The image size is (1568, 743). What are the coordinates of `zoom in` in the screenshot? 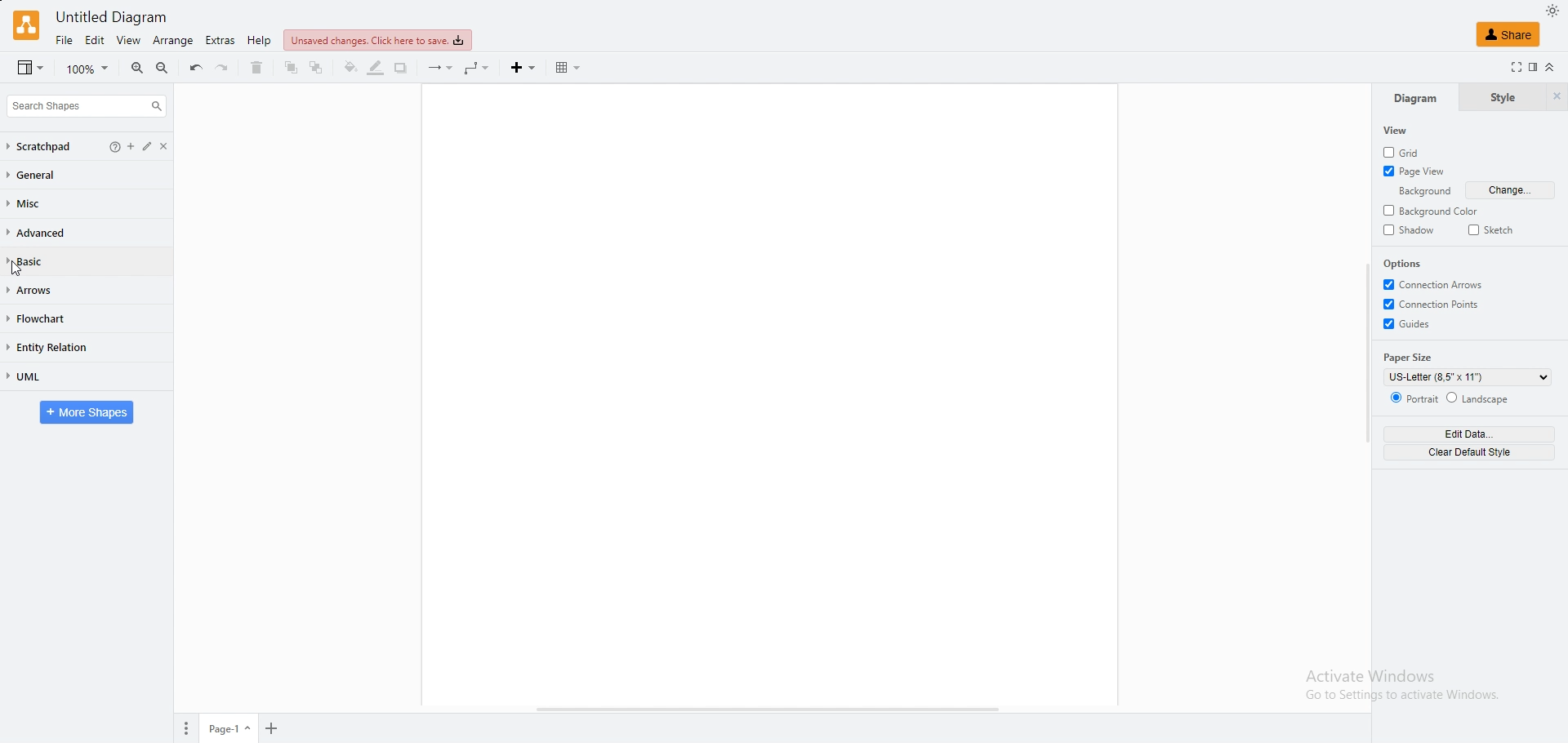 It's located at (138, 69).